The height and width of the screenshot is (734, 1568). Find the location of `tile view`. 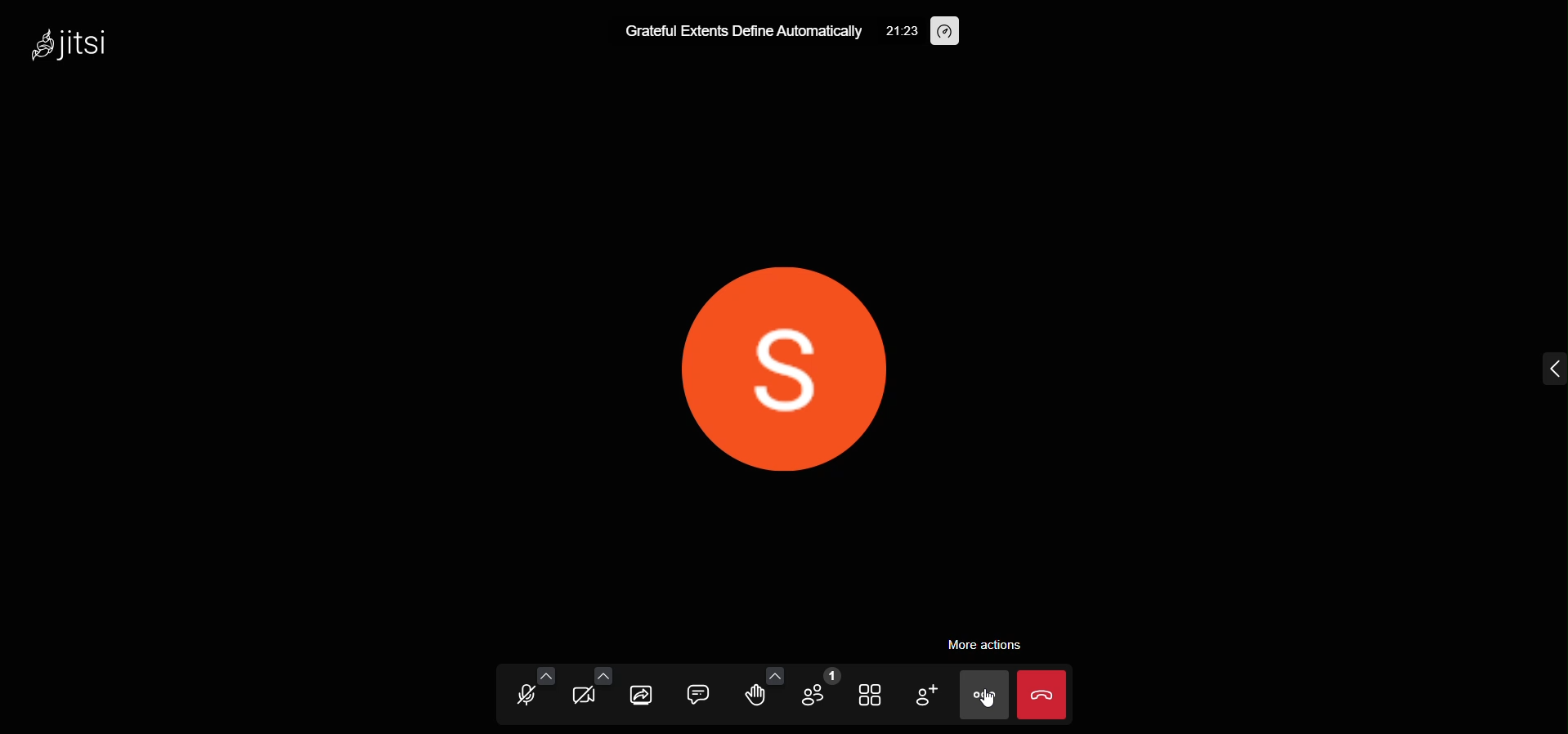

tile view is located at coordinates (873, 694).